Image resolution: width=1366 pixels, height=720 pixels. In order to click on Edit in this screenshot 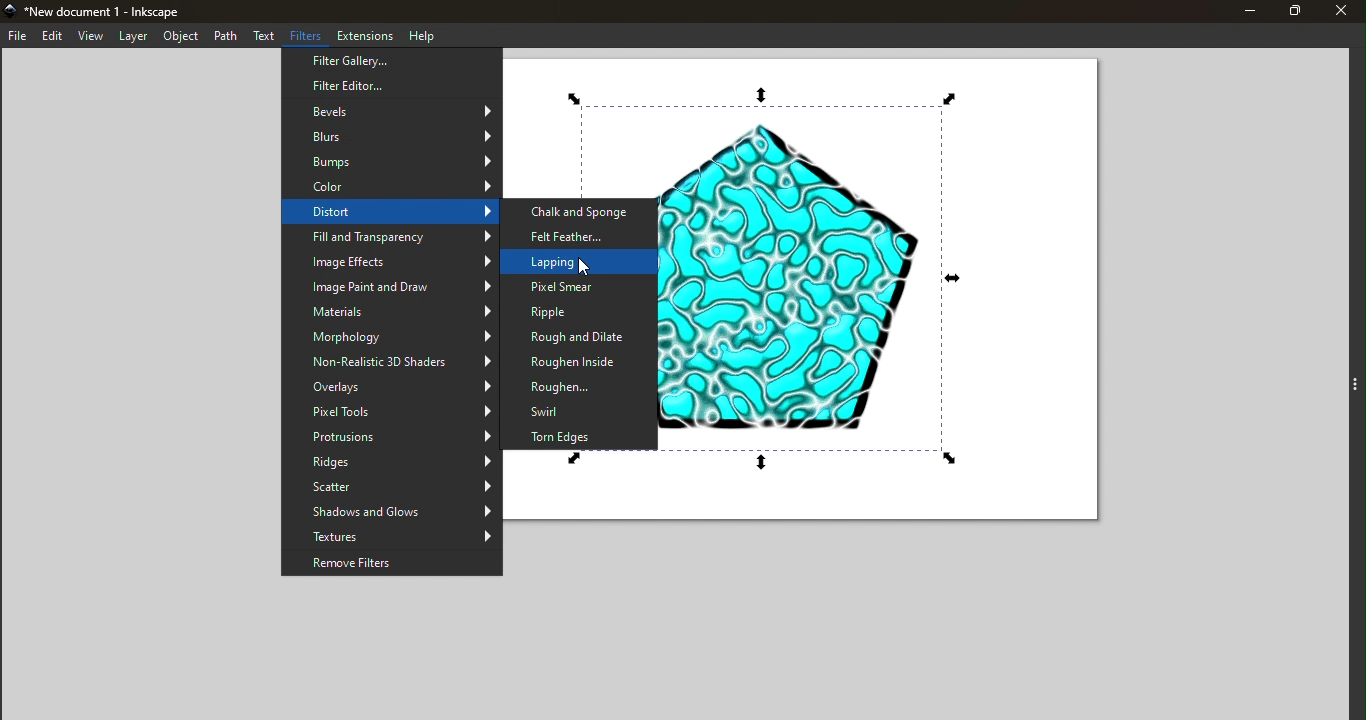, I will do `click(51, 36)`.